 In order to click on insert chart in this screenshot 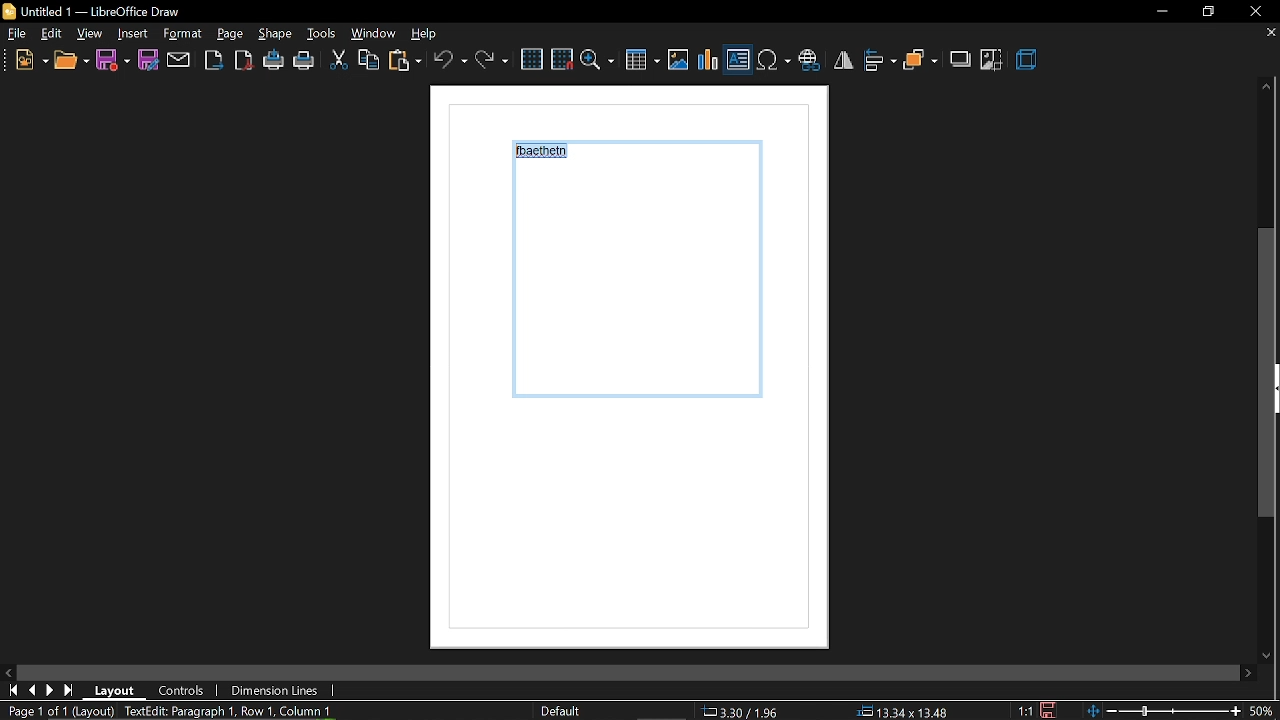, I will do `click(709, 61)`.